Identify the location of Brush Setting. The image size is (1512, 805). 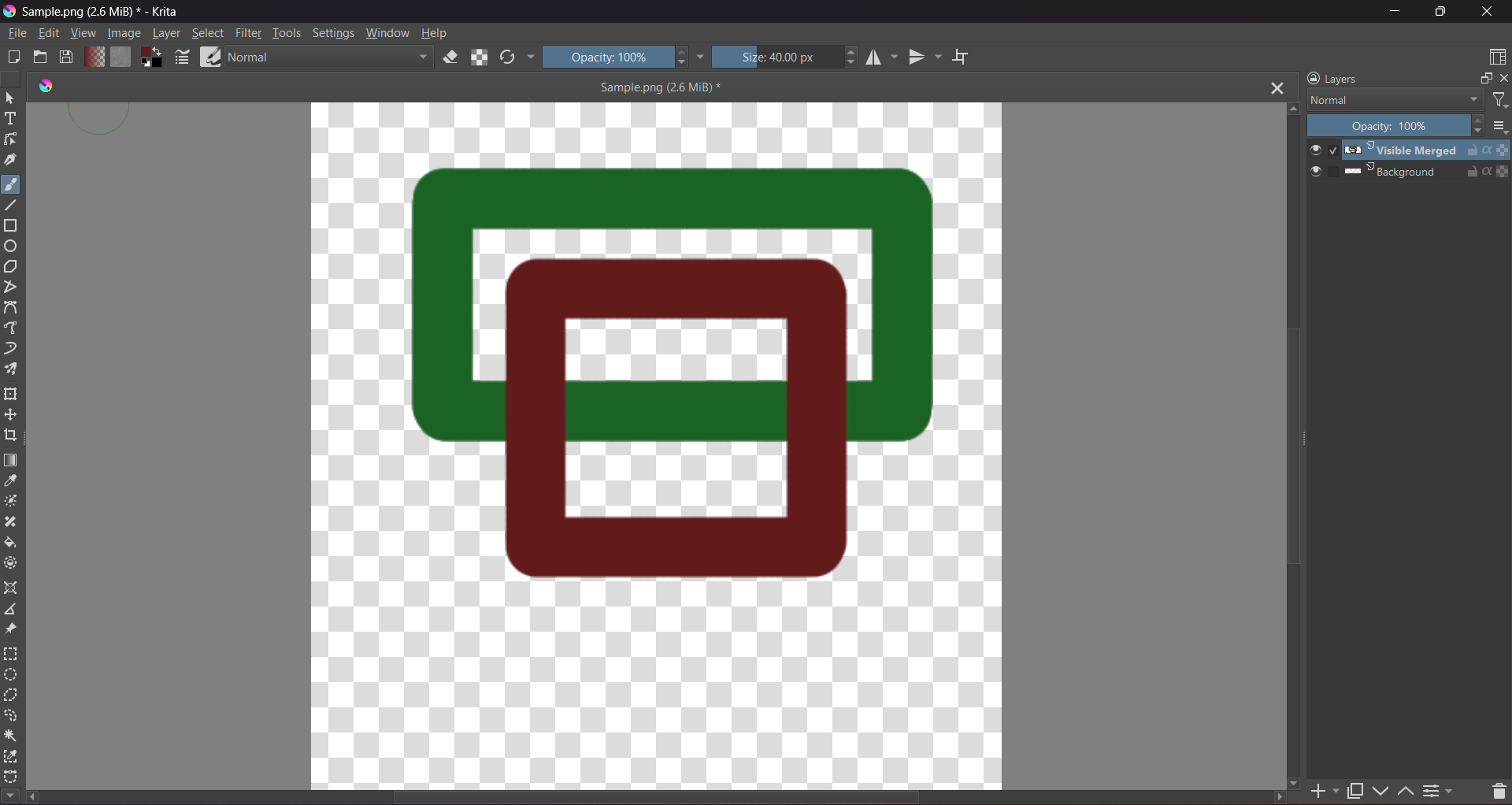
(183, 59).